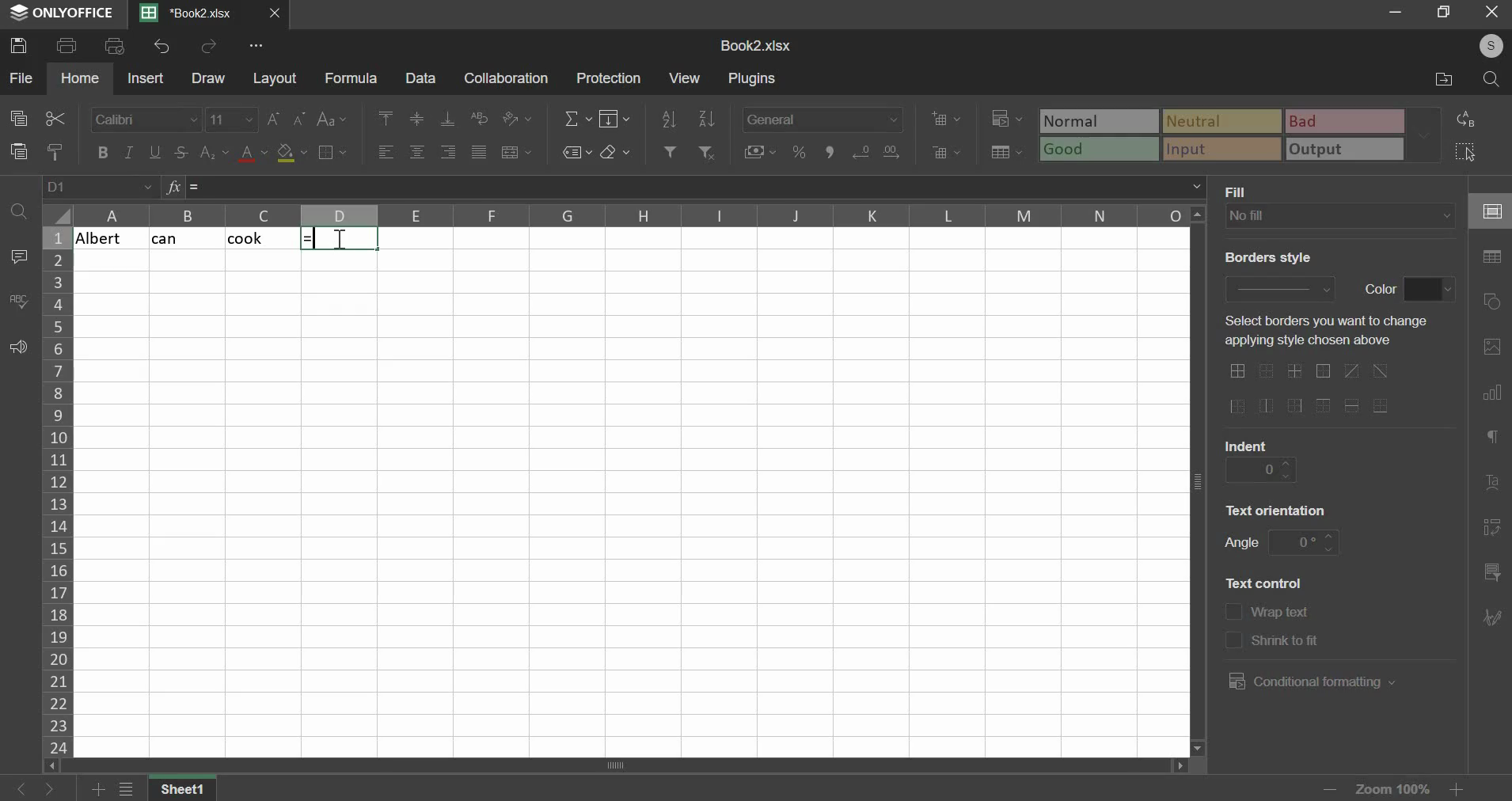 Image resolution: width=1512 pixels, height=801 pixels. I want to click on copy style, so click(56, 151).